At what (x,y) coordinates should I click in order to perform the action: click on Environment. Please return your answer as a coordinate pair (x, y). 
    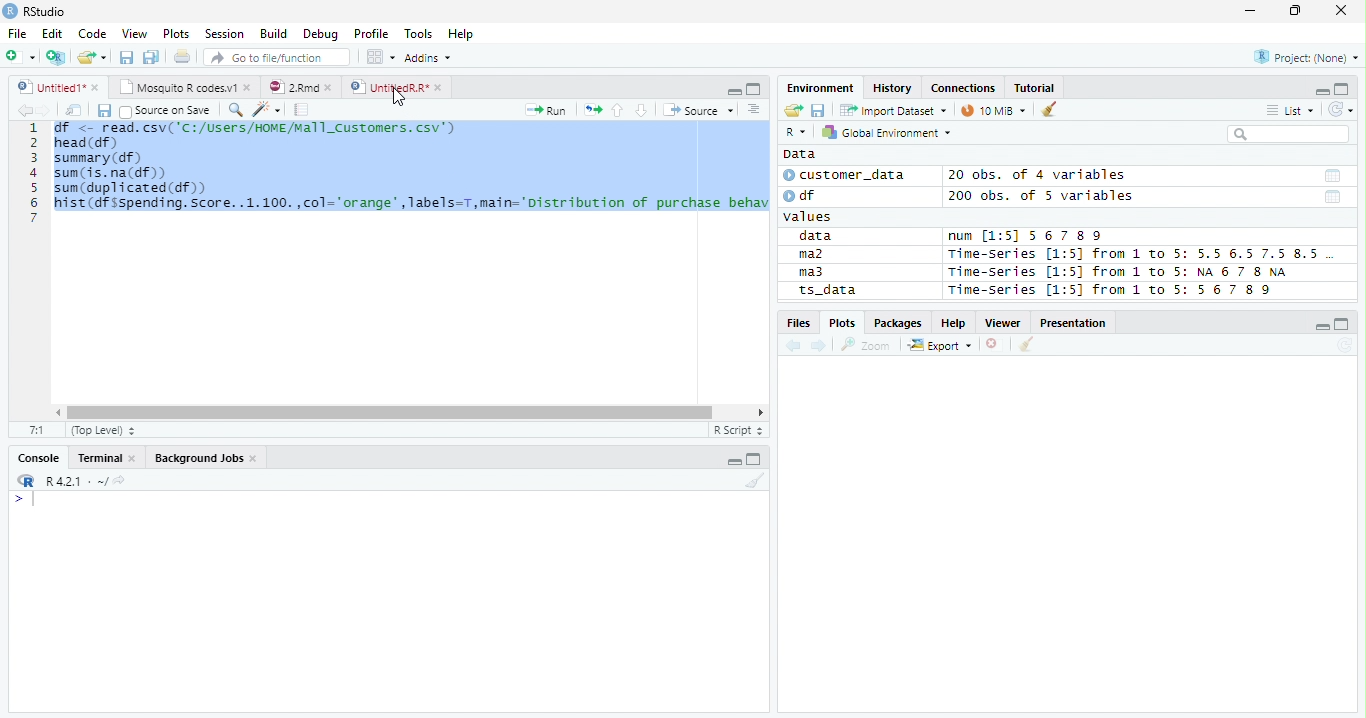
    Looking at the image, I should click on (822, 88).